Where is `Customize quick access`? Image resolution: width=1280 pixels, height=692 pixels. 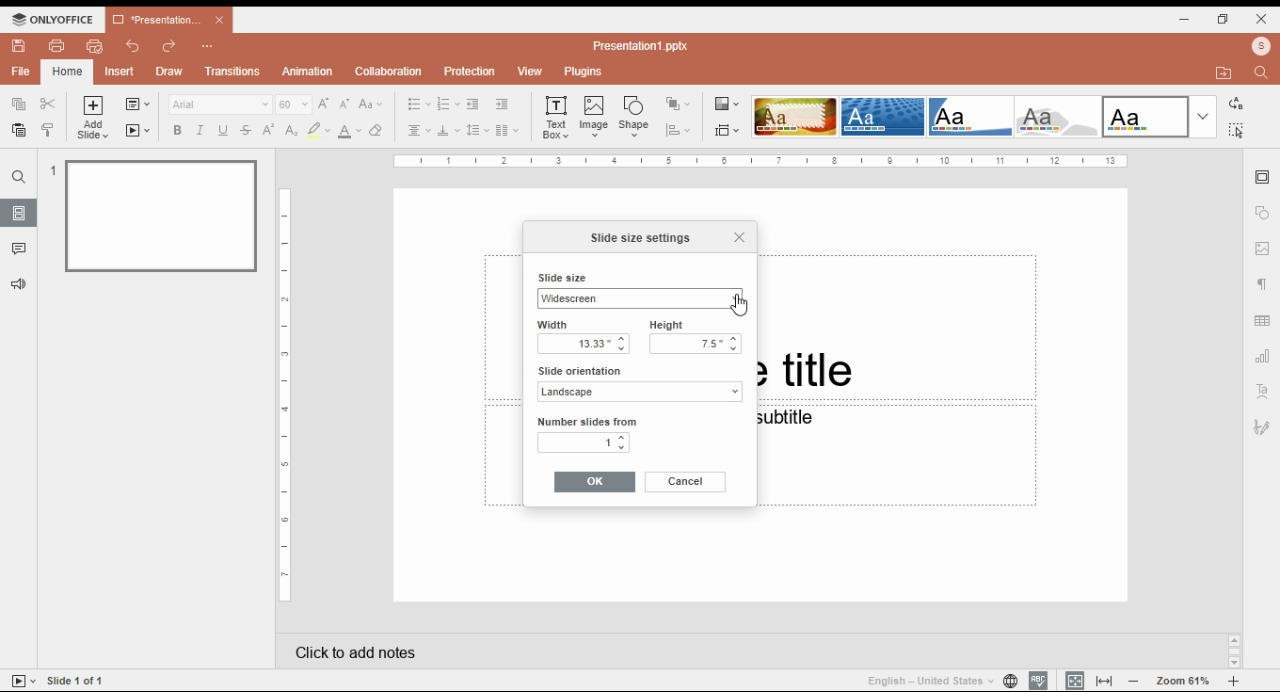 Customize quick access is located at coordinates (208, 46).